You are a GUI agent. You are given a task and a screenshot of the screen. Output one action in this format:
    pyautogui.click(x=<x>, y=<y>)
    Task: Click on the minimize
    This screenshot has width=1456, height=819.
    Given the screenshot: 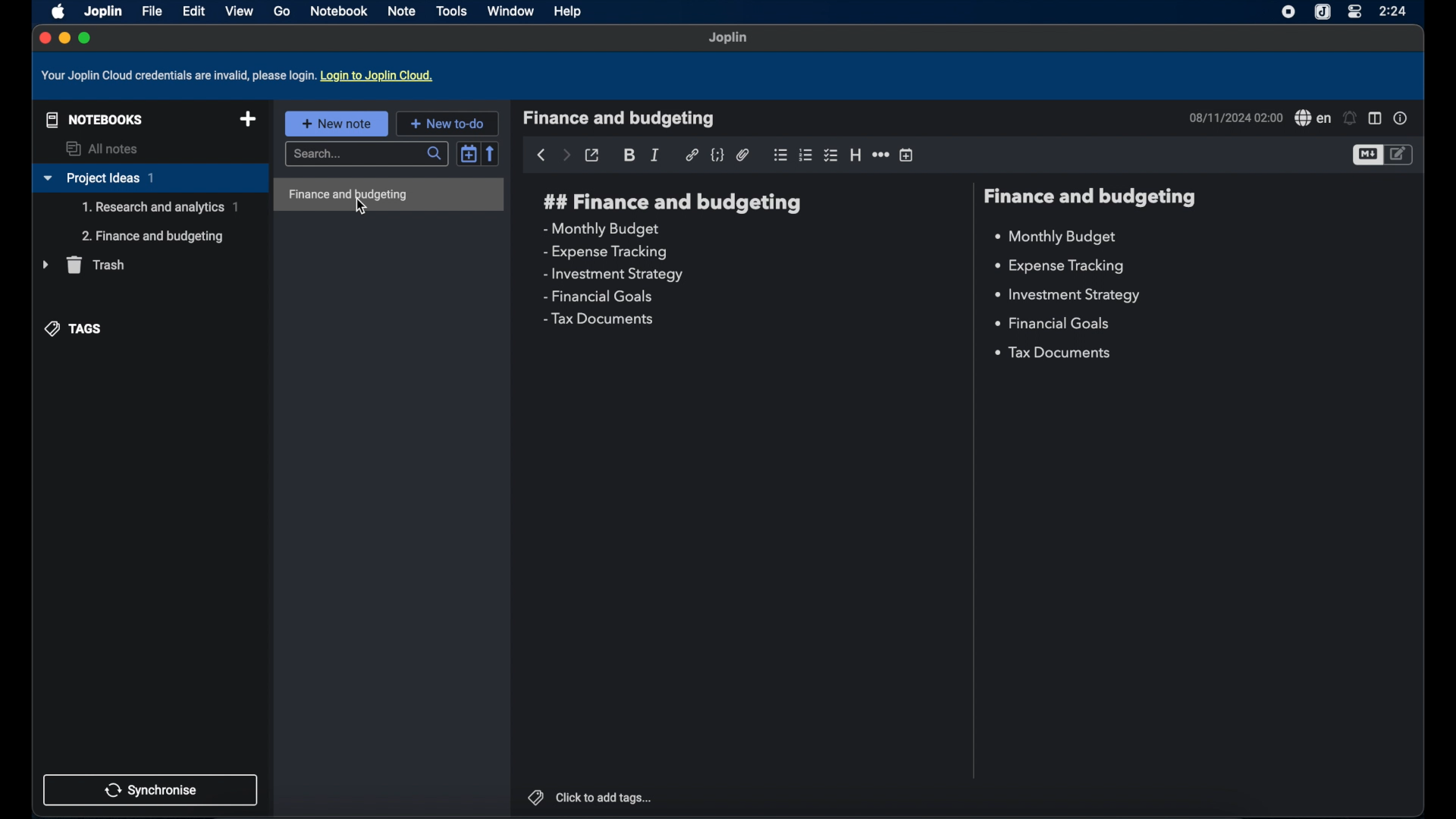 What is the action you would take?
    pyautogui.click(x=64, y=39)
    